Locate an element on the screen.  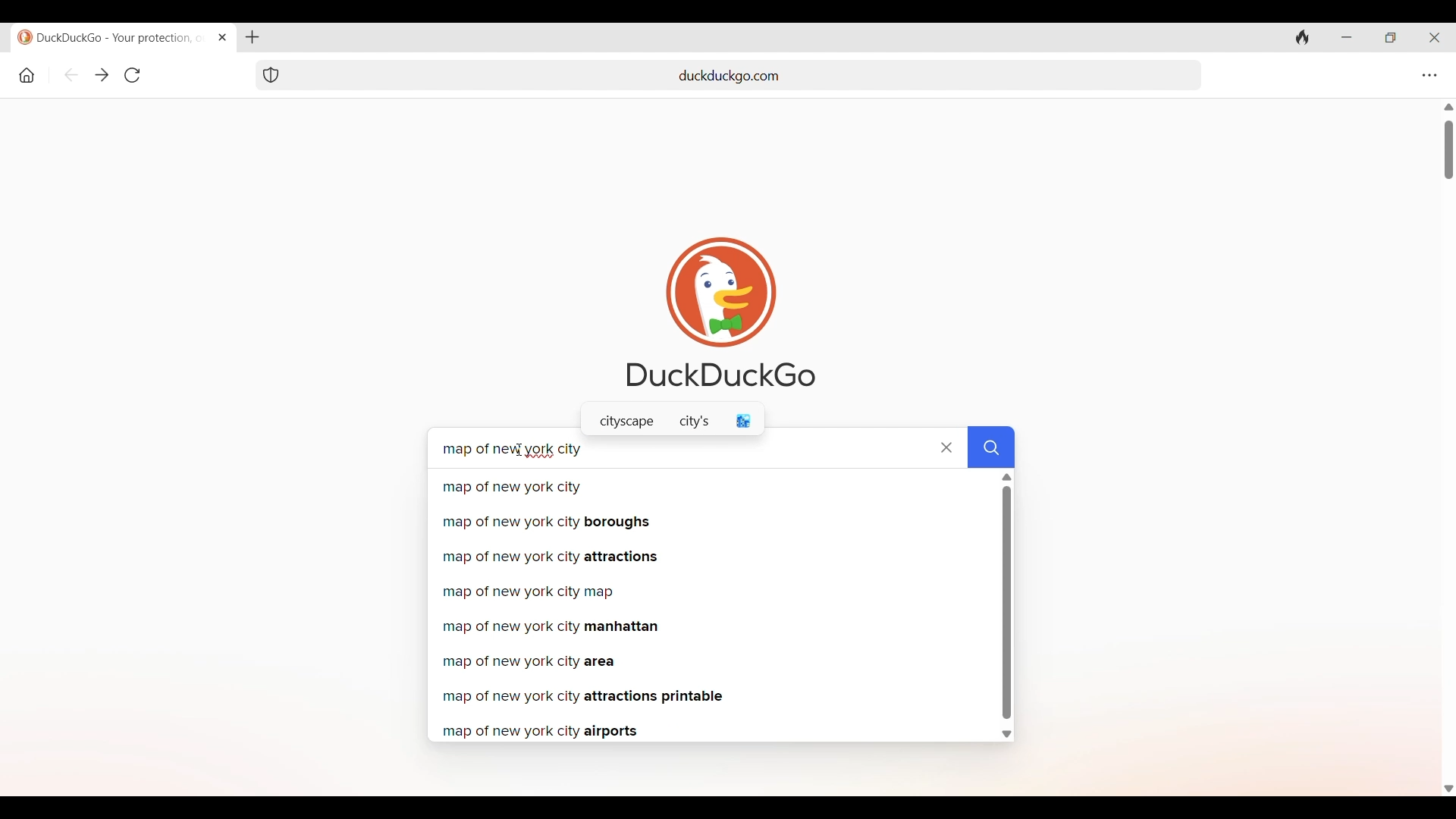
Reload page is located at coordinates (132, 74).